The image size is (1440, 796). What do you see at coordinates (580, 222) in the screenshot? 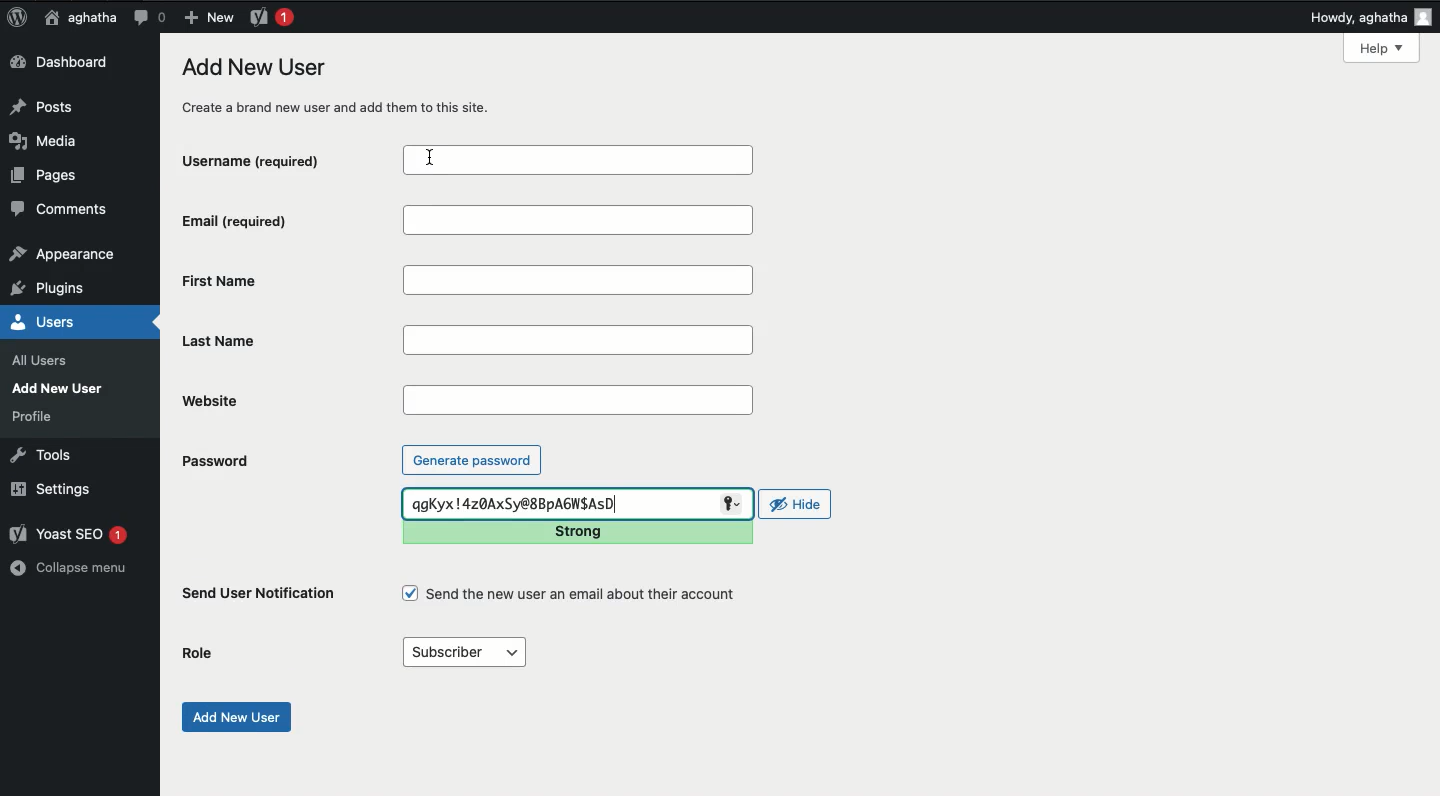
I see `Email` at bounding box center [580, 222].